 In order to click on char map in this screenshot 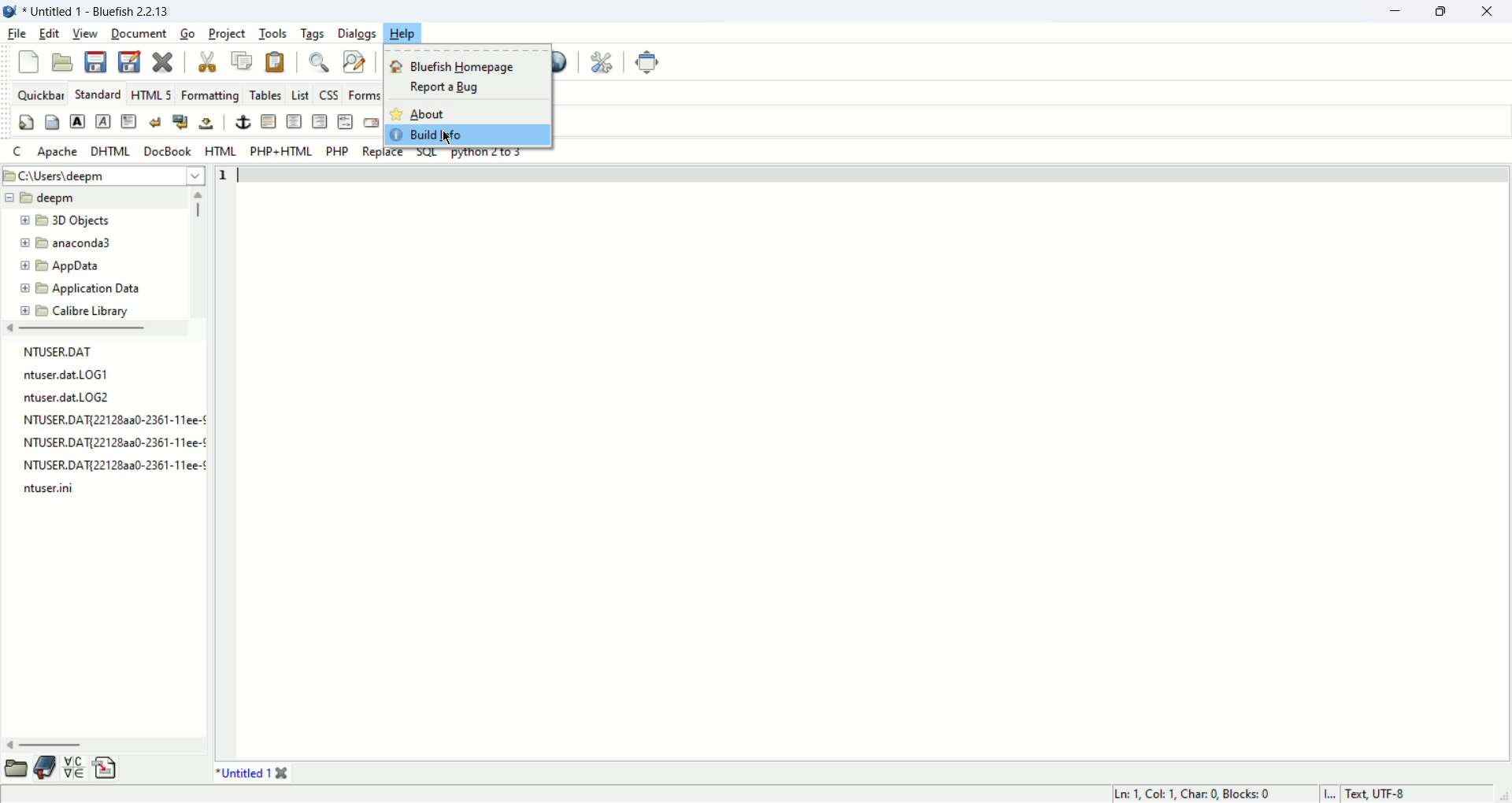, I will do `click(73, 767)`.